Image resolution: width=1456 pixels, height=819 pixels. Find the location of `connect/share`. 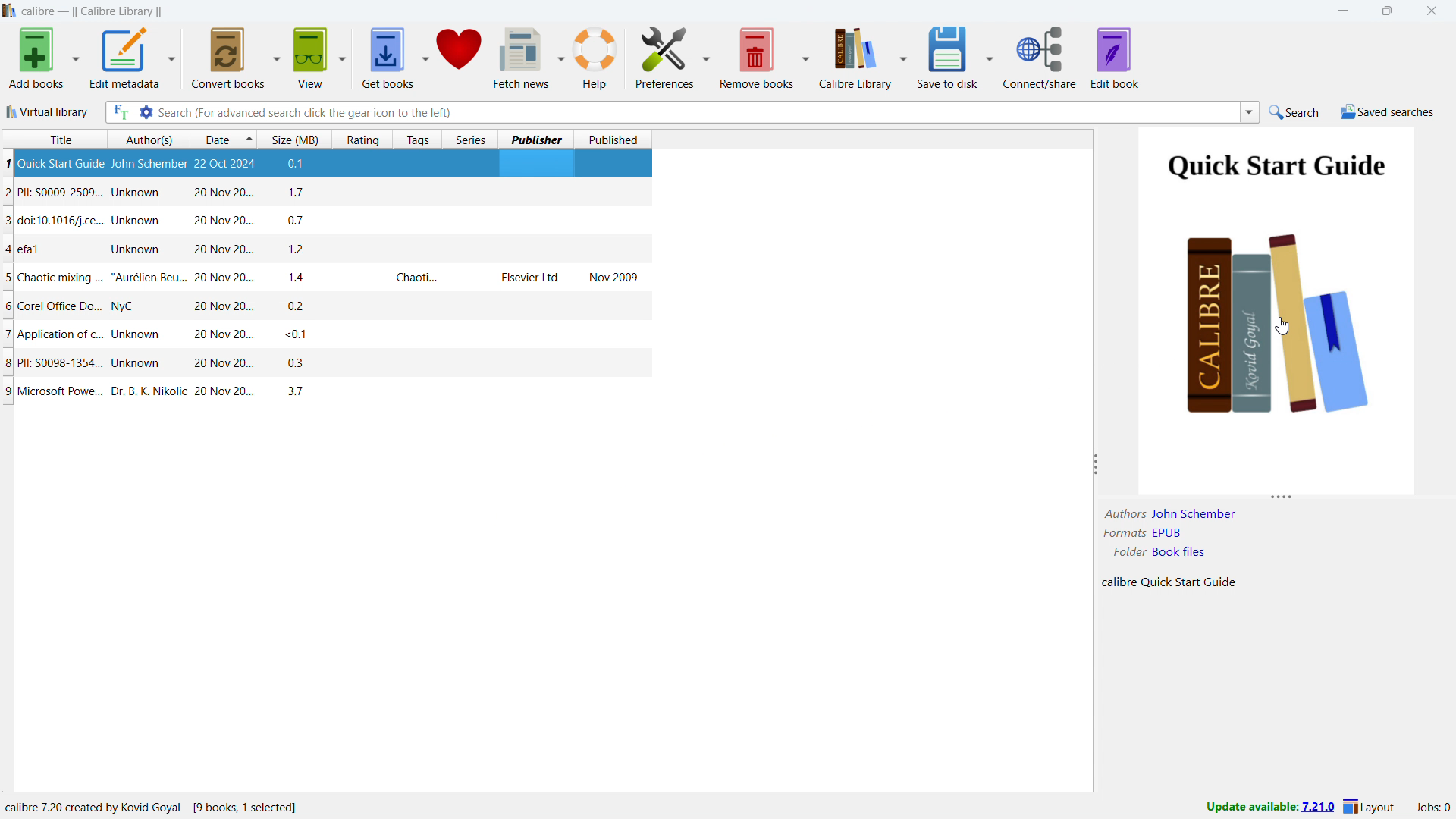

connect/share is located at coordinates (1040, 58).